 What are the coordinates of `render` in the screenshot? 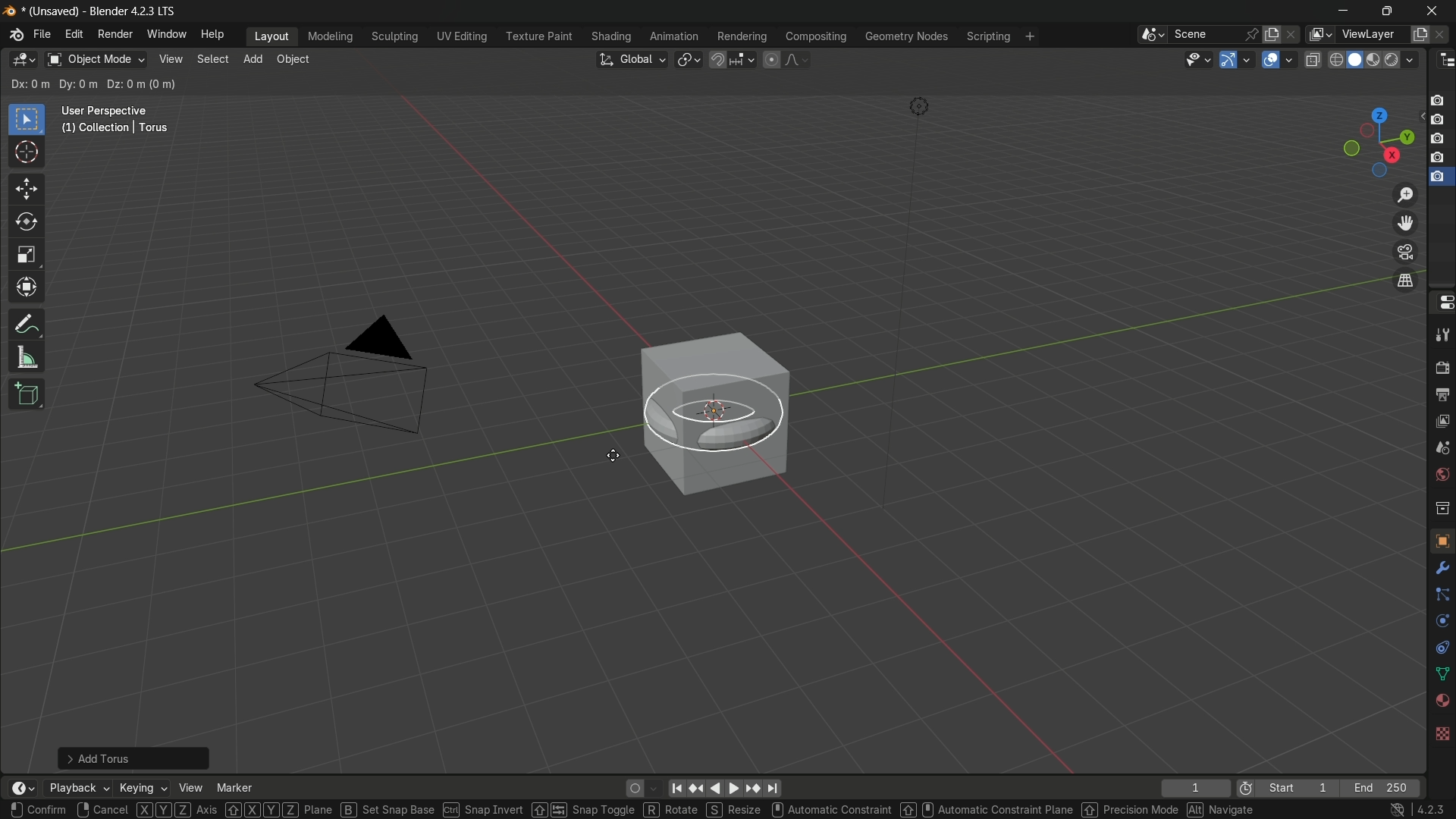 It's located at (1376, 61).